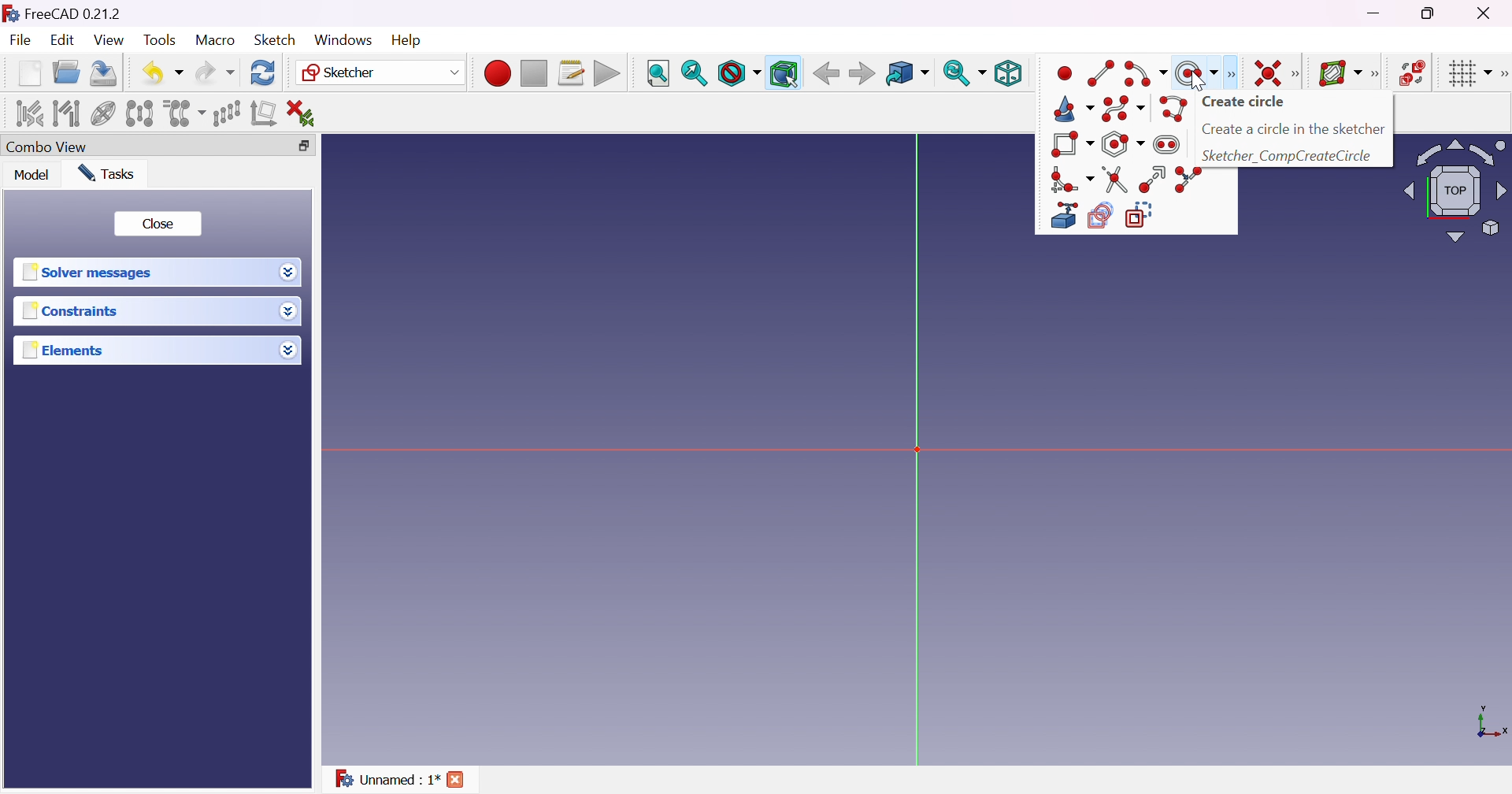  Describe the element at coordinates (1377, 75) in the screenshot. I see `Sketcher -spline tools` at that location.